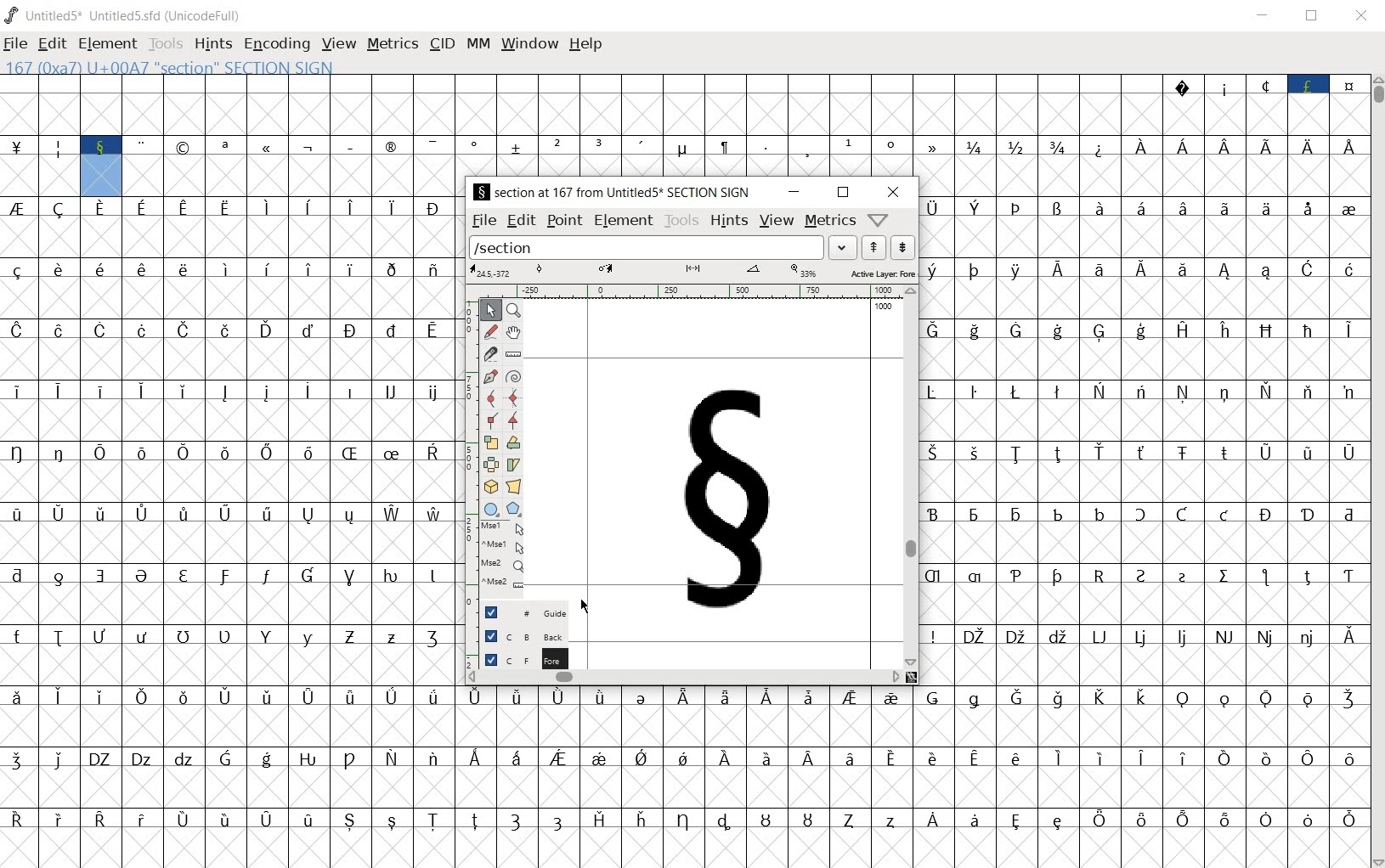  I want to click on empty cells, so click(41, 177).